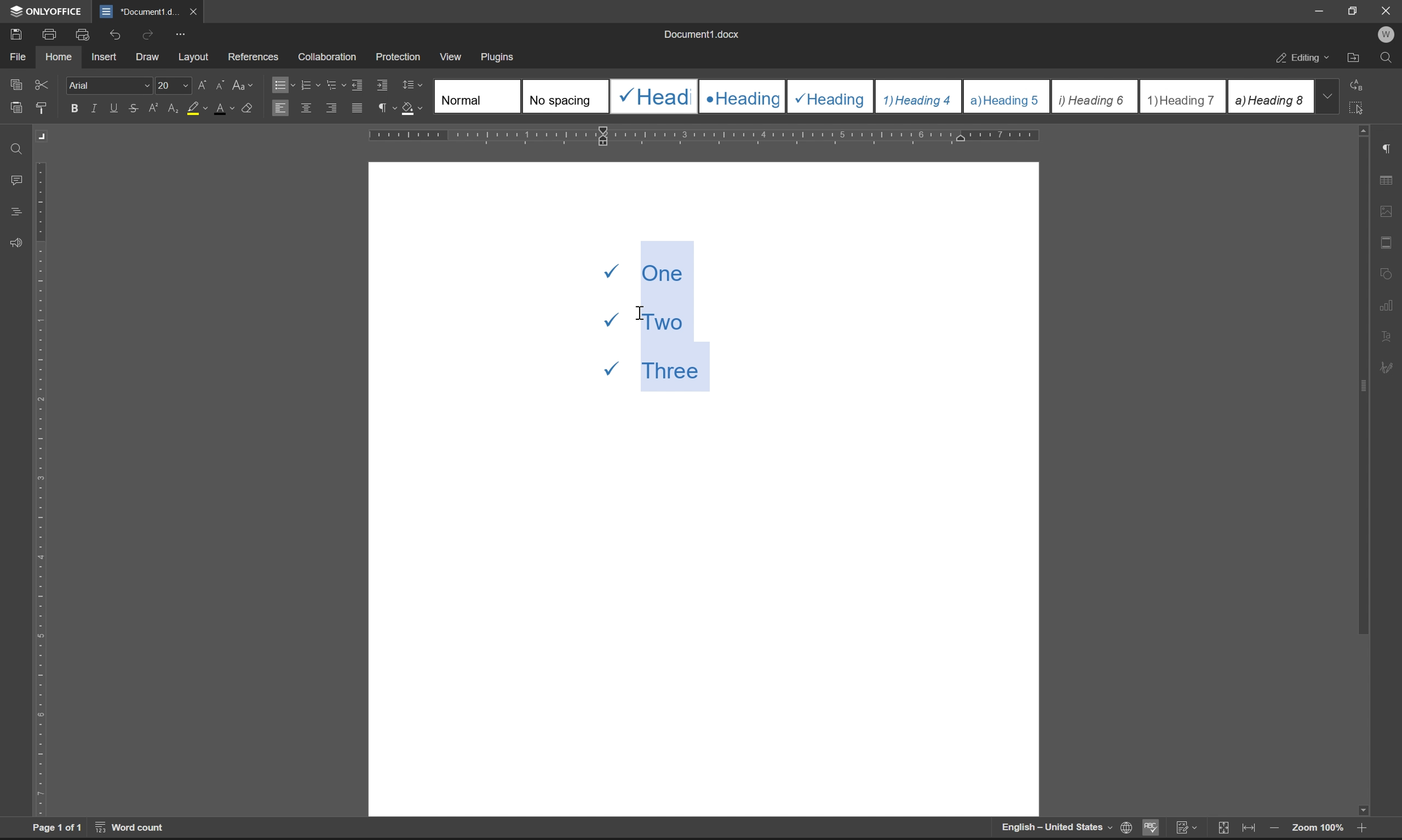 The width and height of the screenshot is (1402, 840). Describe the element at coordinates (1359, 107) in the screenshot. I see `select all` at that location.